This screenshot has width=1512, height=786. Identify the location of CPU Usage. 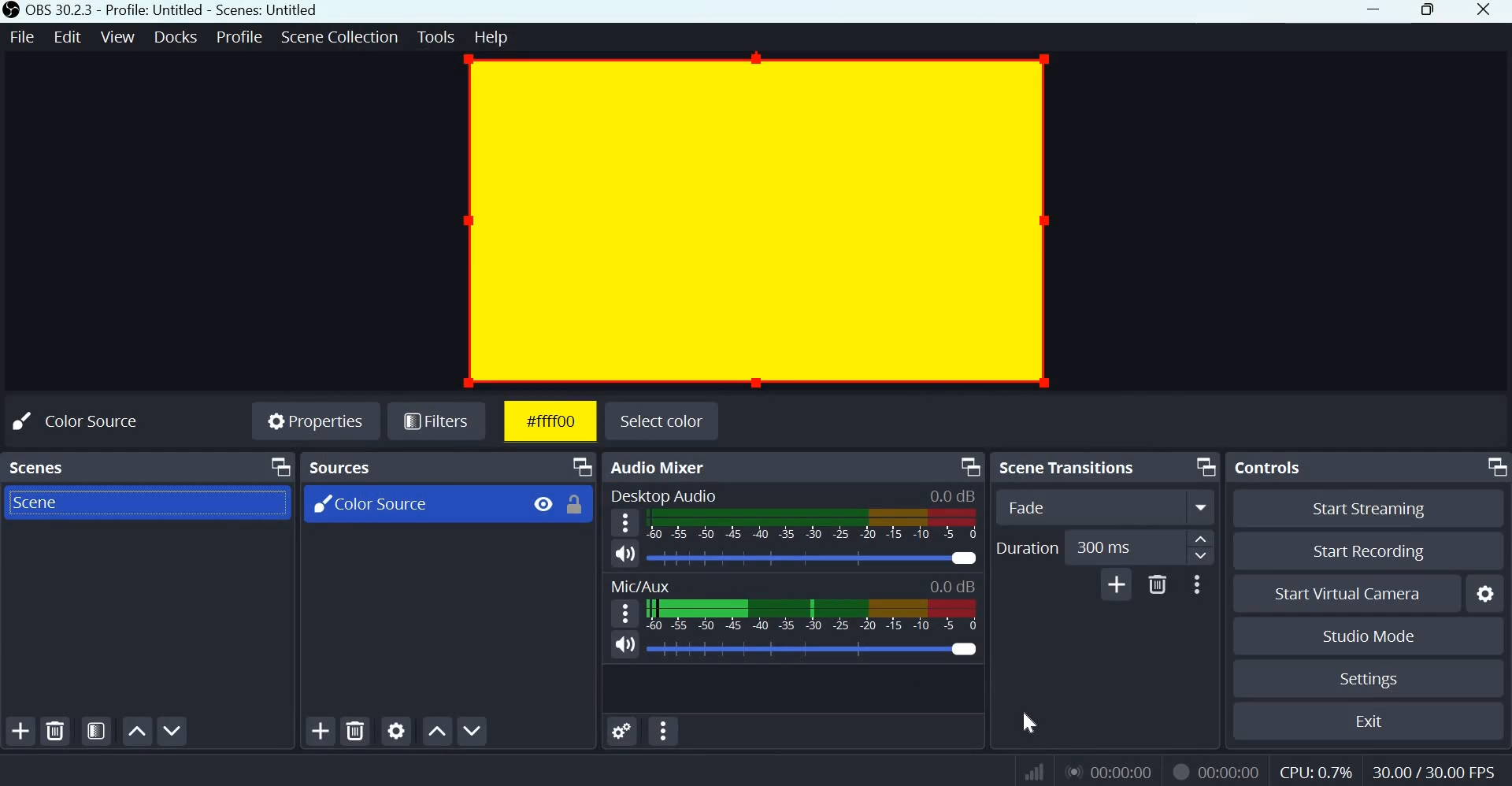
(1314, 773).